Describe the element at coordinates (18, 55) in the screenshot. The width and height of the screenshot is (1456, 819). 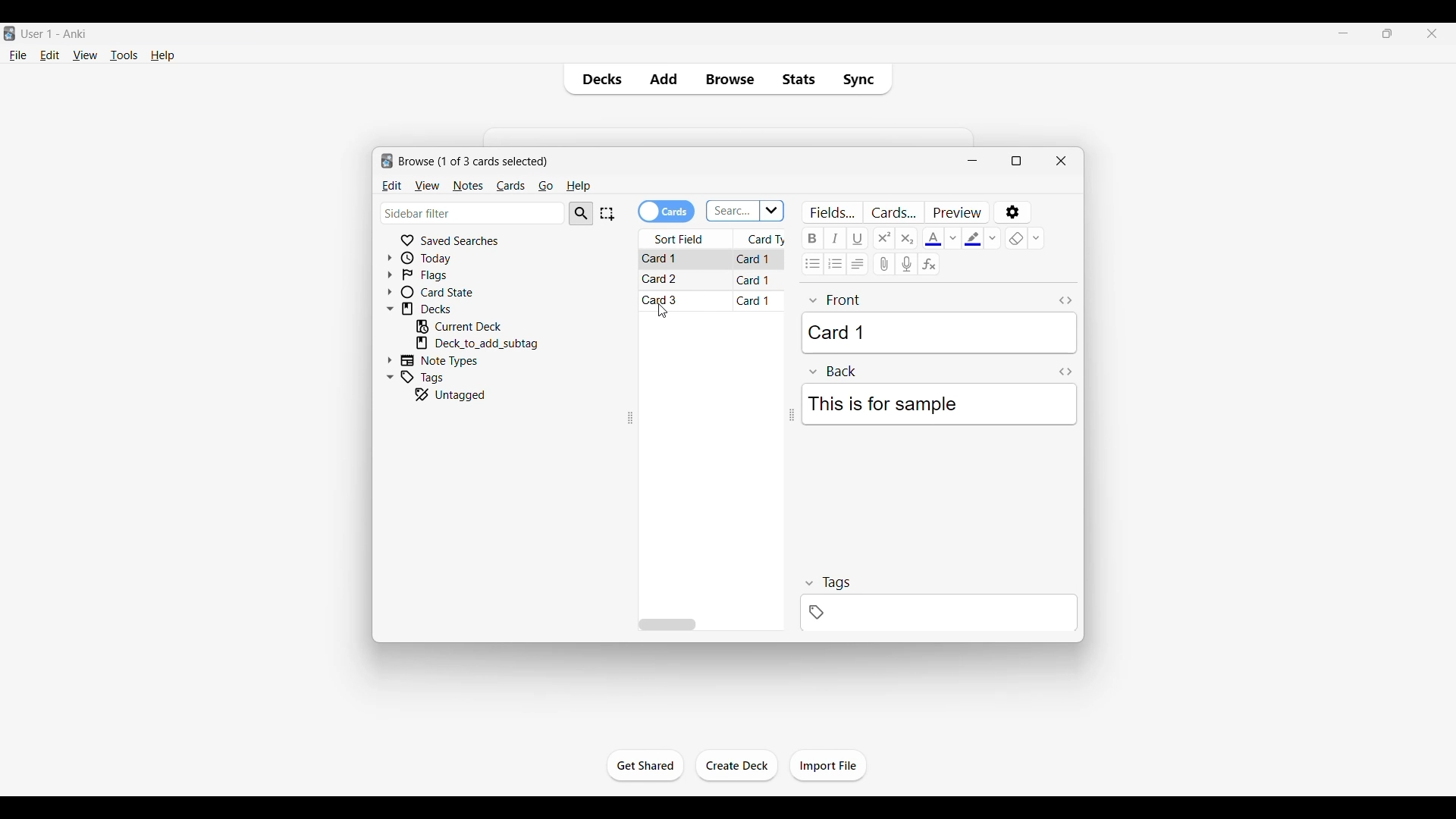
I see `File menu` at that location.